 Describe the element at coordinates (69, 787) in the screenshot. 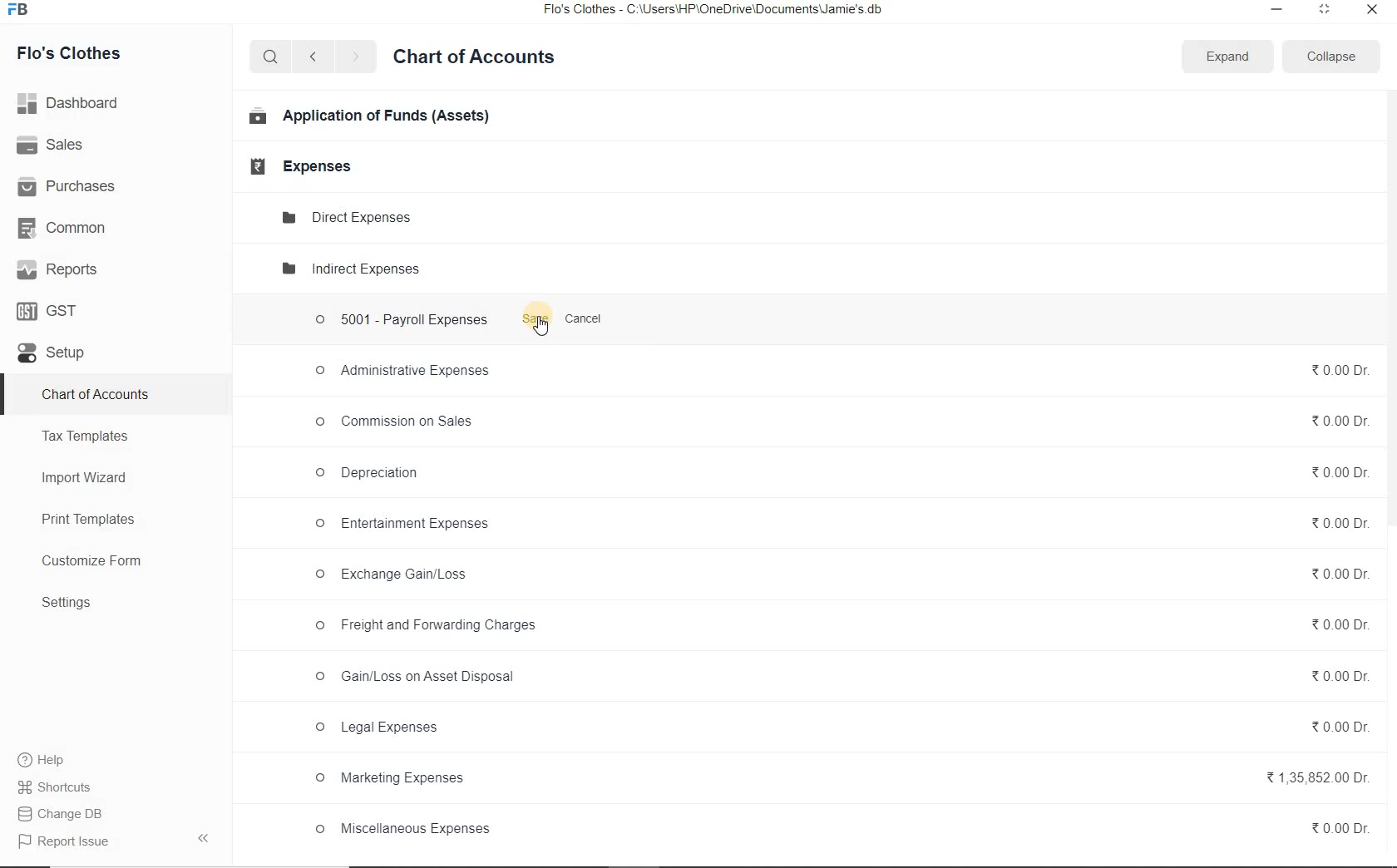

I see `Shortcuts` at that location.